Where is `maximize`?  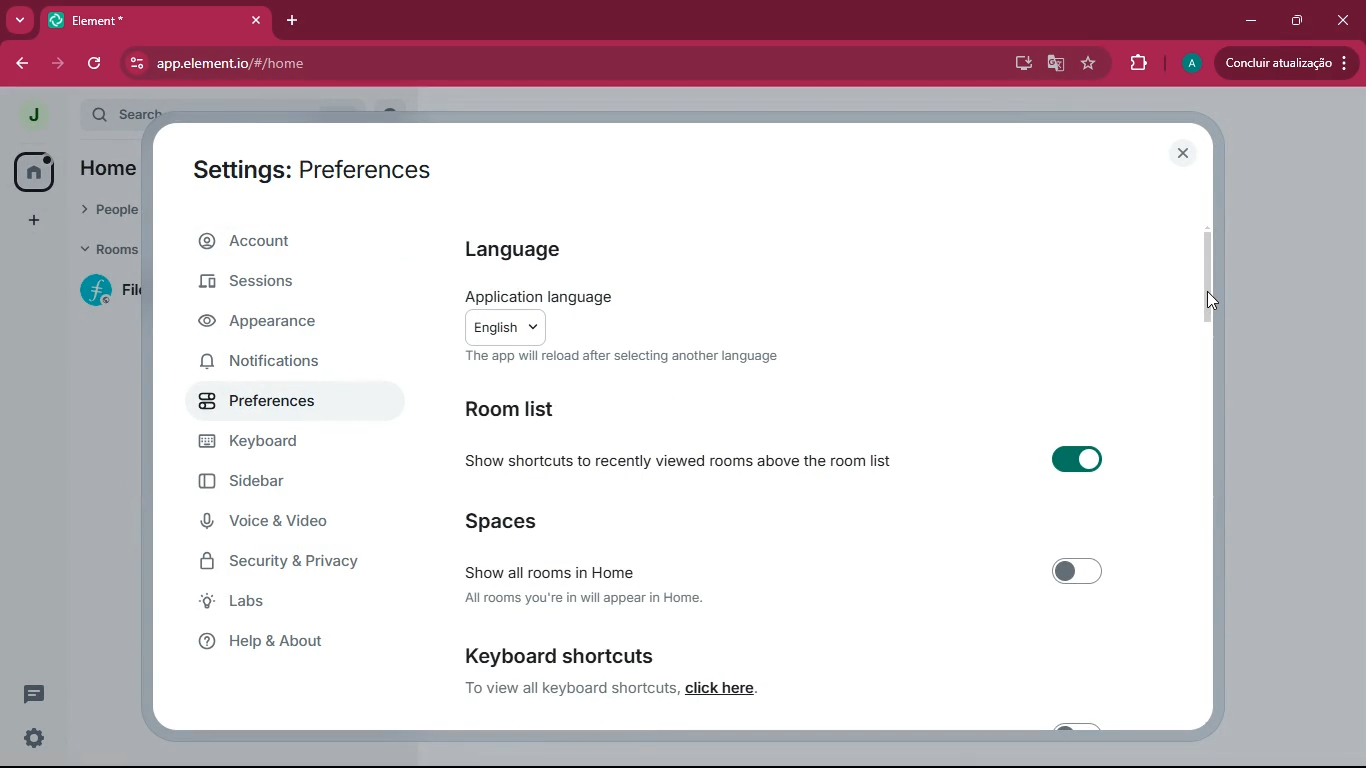 maximize is located at coordinates (1298, 21).